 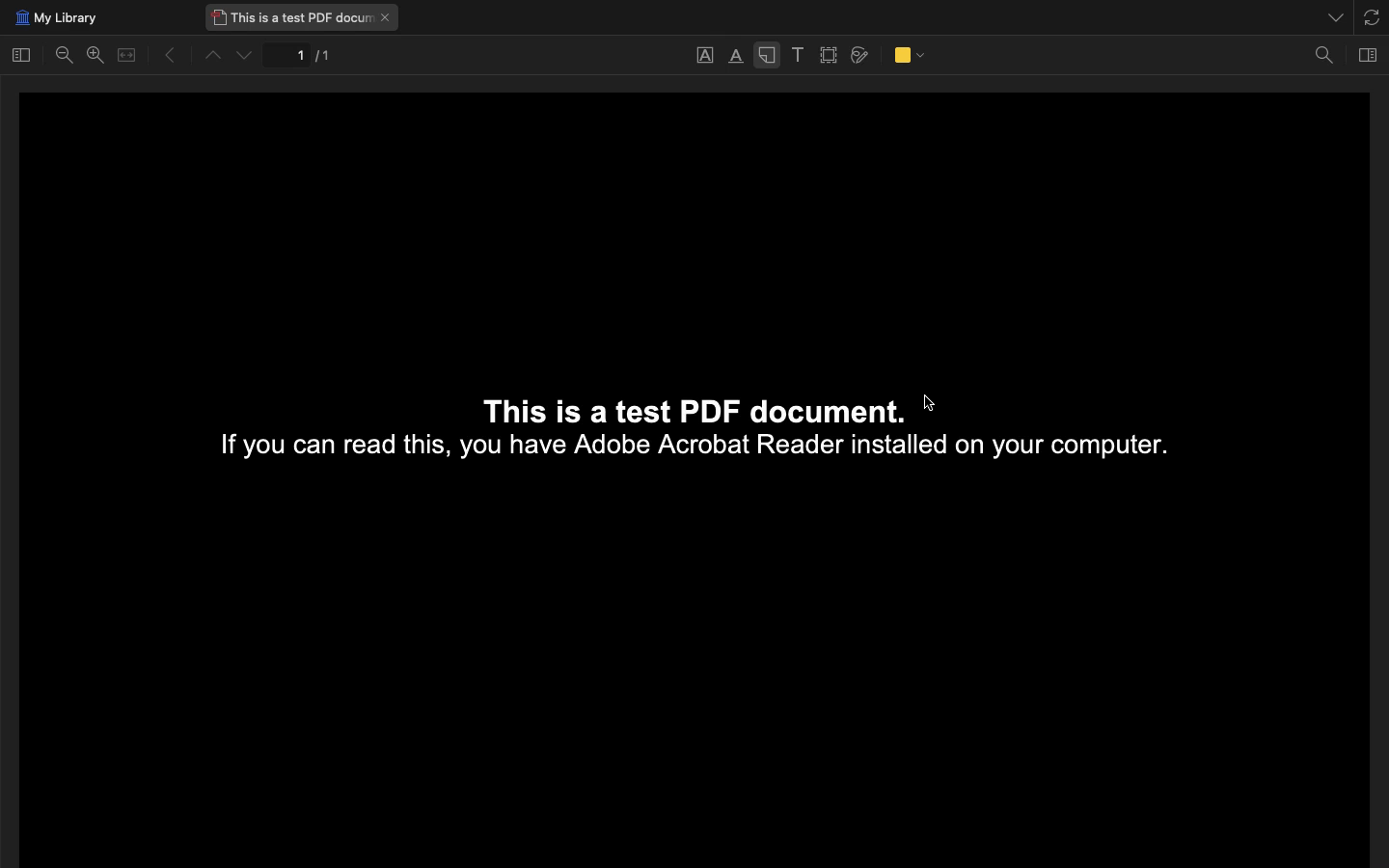 I want to click on Select area, so click(x=831, y=56).